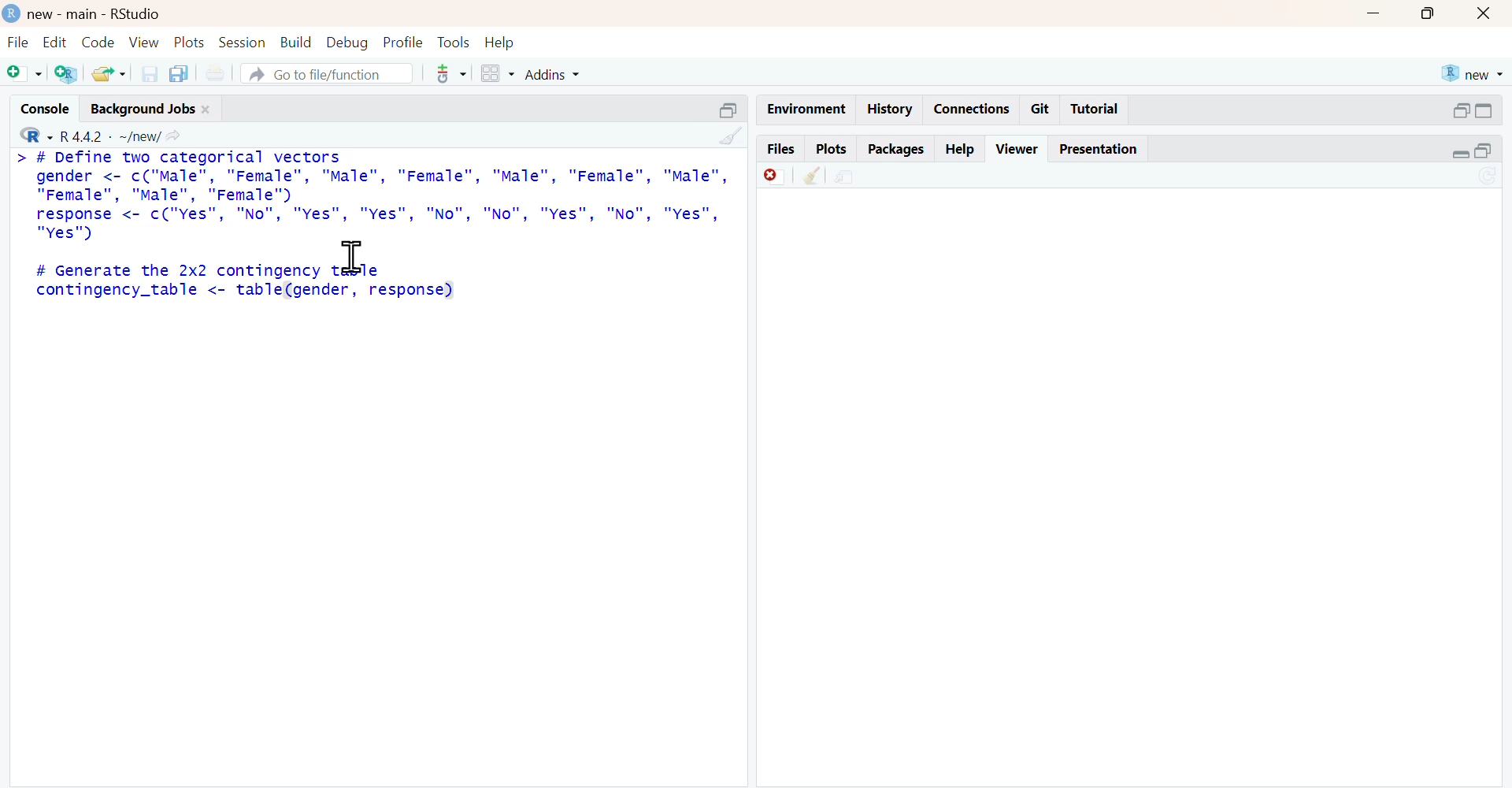 Image resolution: width=1512 pixels, height=788 pixels. What do you see at coordinates (728, 111) in the screenshot?
I see `open in separate window` at bounding box center [728, 111].